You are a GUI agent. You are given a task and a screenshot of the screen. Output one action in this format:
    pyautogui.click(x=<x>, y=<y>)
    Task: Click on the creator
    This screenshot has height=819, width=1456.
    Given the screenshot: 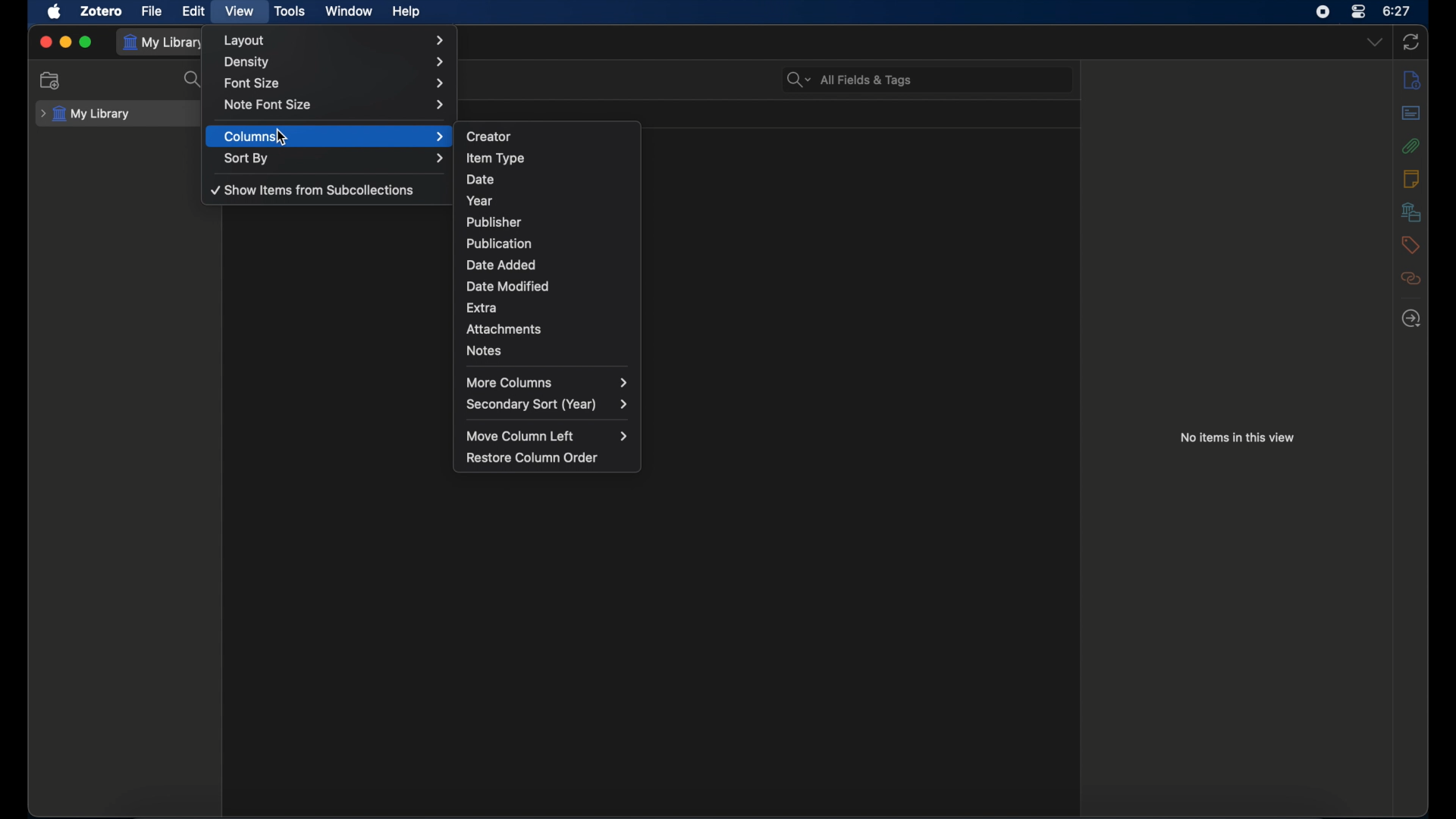 What is the action you would take?
    pyautogui.click(x=490, y=135)
    